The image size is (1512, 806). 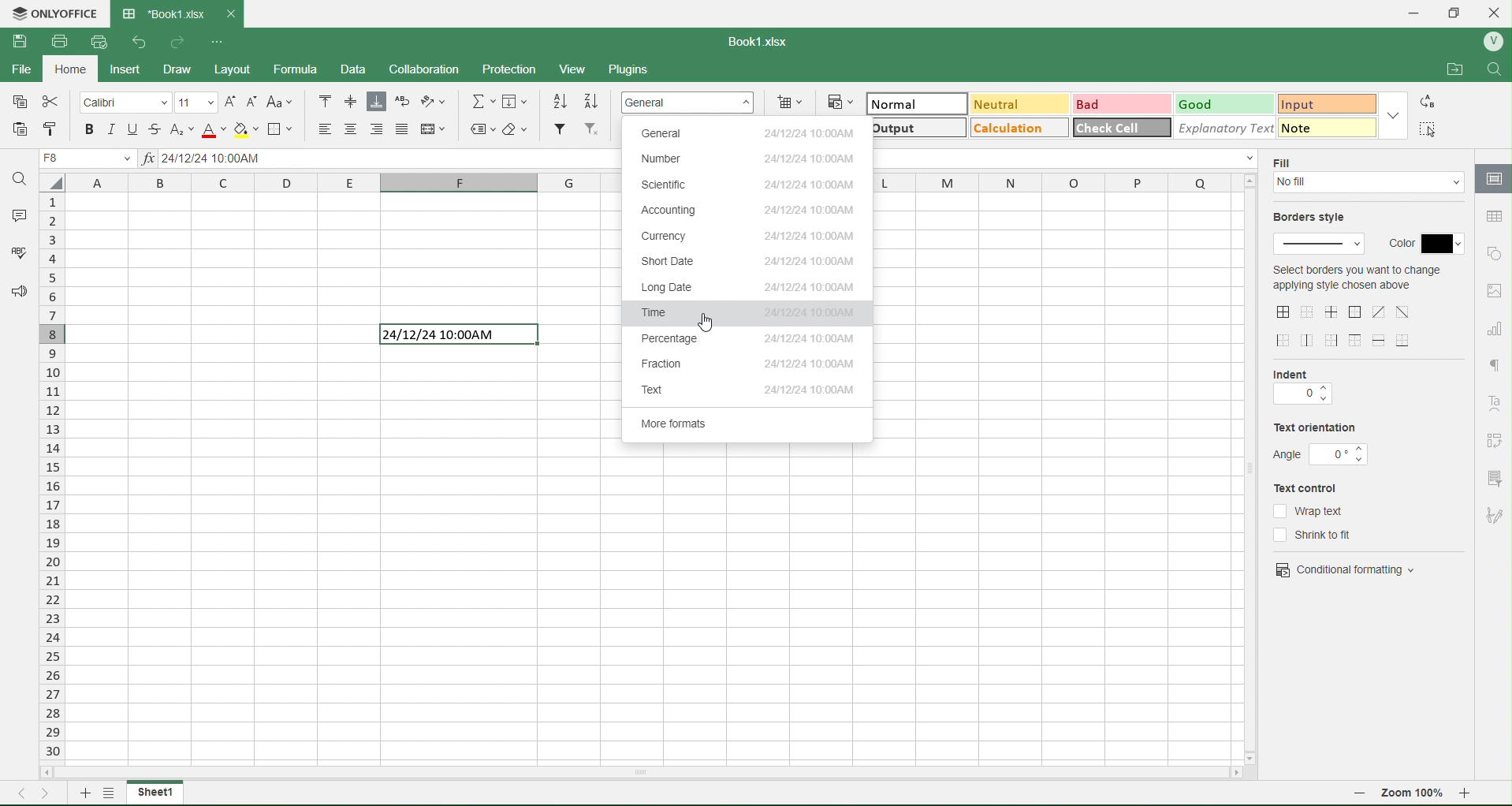 What do you see at coordinates (1494, 364) in the screenshot?
I see `show/hide paragraph` at bounding box center [1494, 364].